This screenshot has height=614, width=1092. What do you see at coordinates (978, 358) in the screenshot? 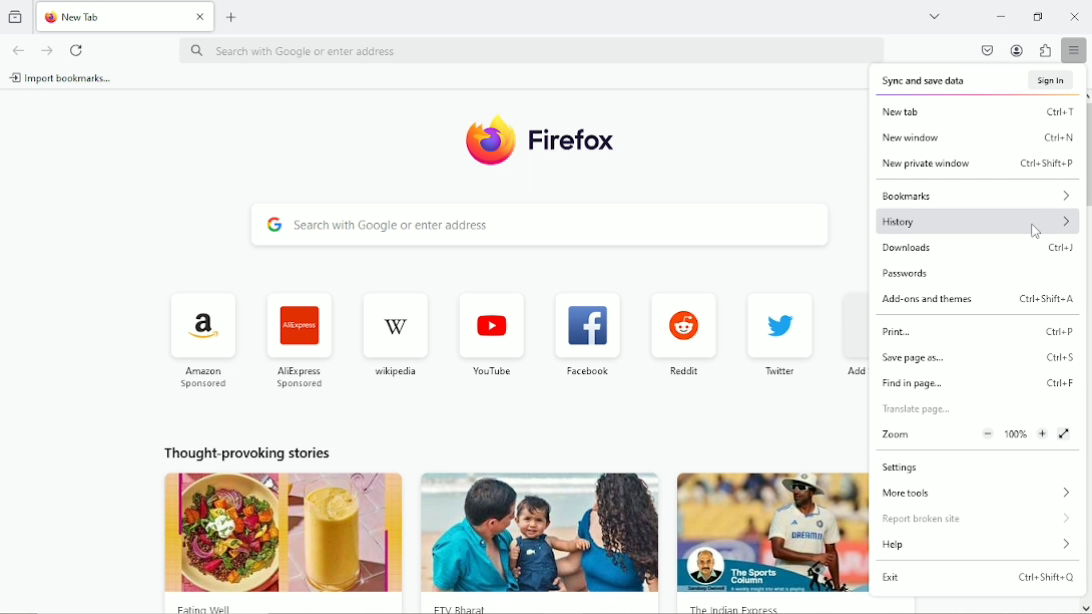
I see `save page as` at bounding box center [978, 358].